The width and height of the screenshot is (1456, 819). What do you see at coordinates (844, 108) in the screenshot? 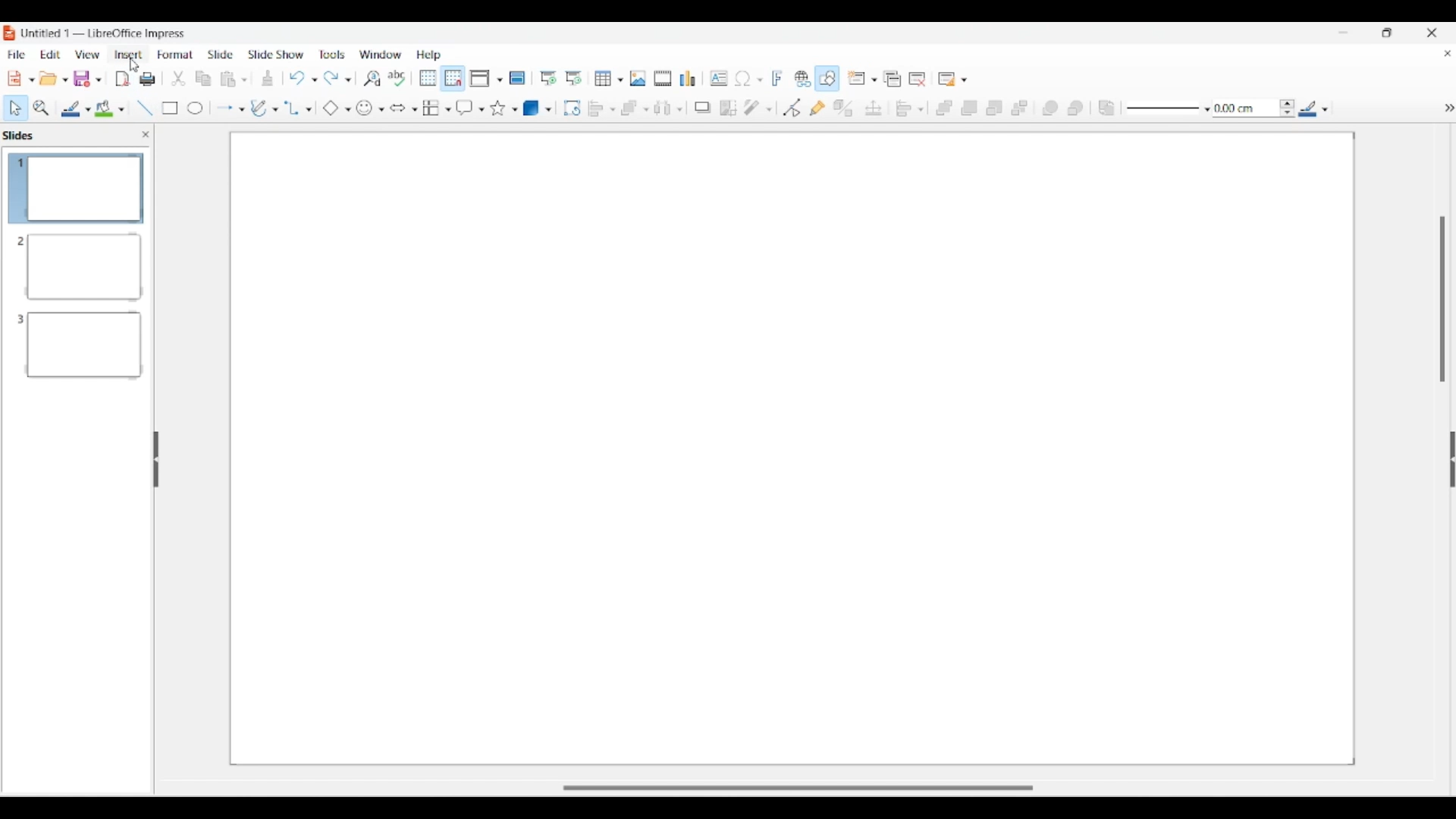
I see `Toggle extrusion` at bounding box center [844, 108].